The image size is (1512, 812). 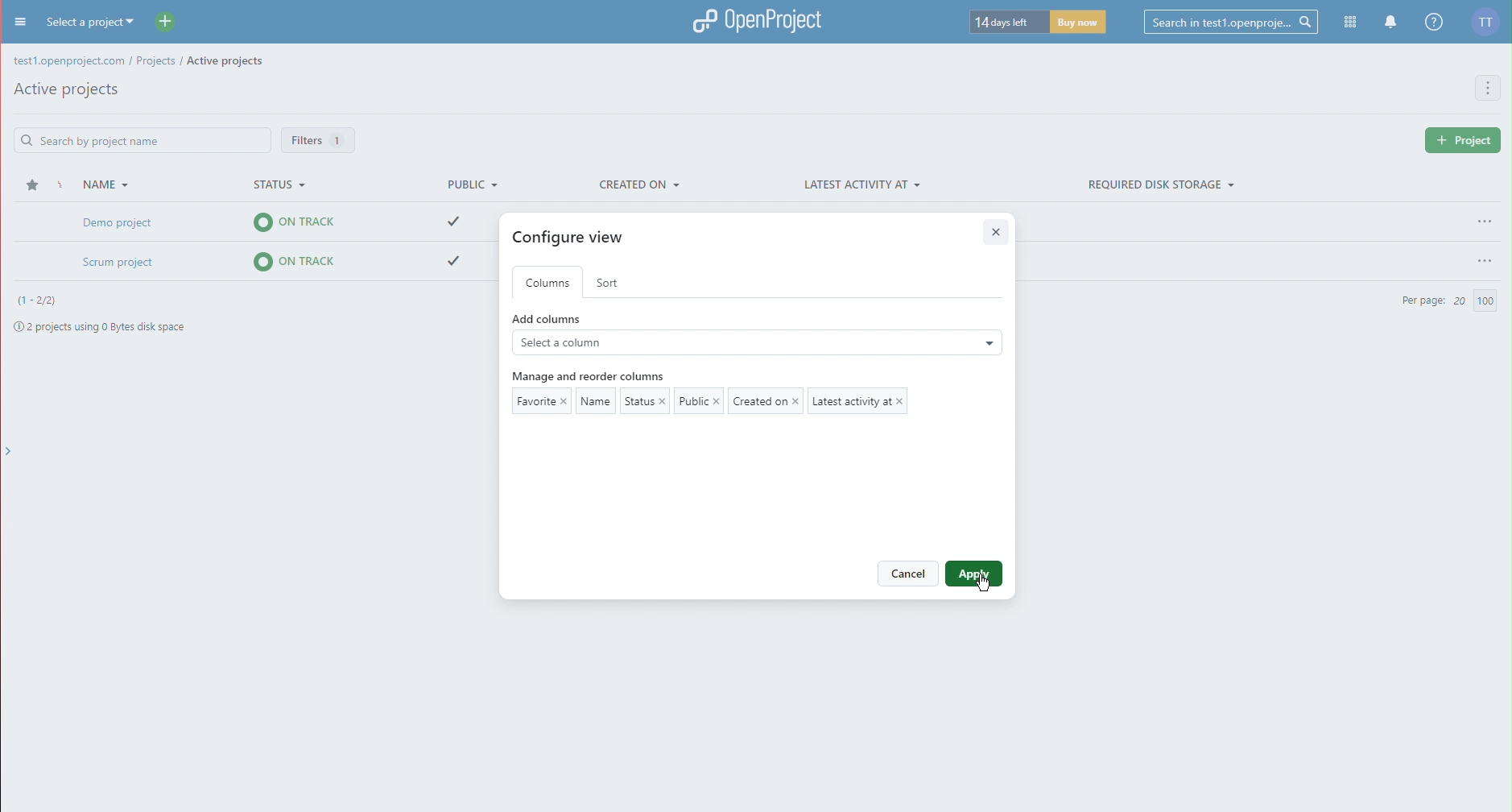 I want to click on Cancel, so click(x=907, y=573).